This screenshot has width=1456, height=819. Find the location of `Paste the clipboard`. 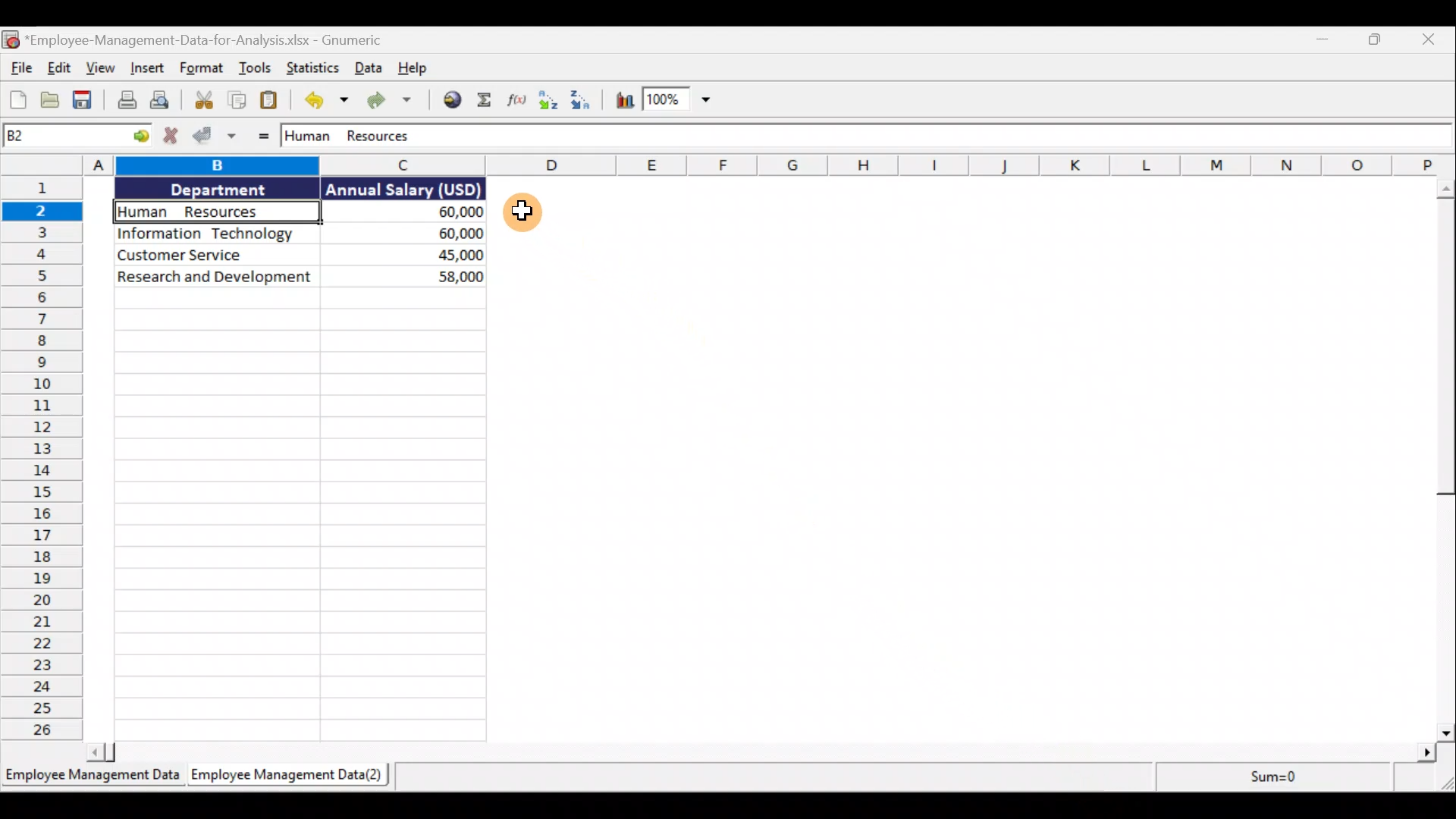

Paste the clipboard is located at coordinates (275, 101).